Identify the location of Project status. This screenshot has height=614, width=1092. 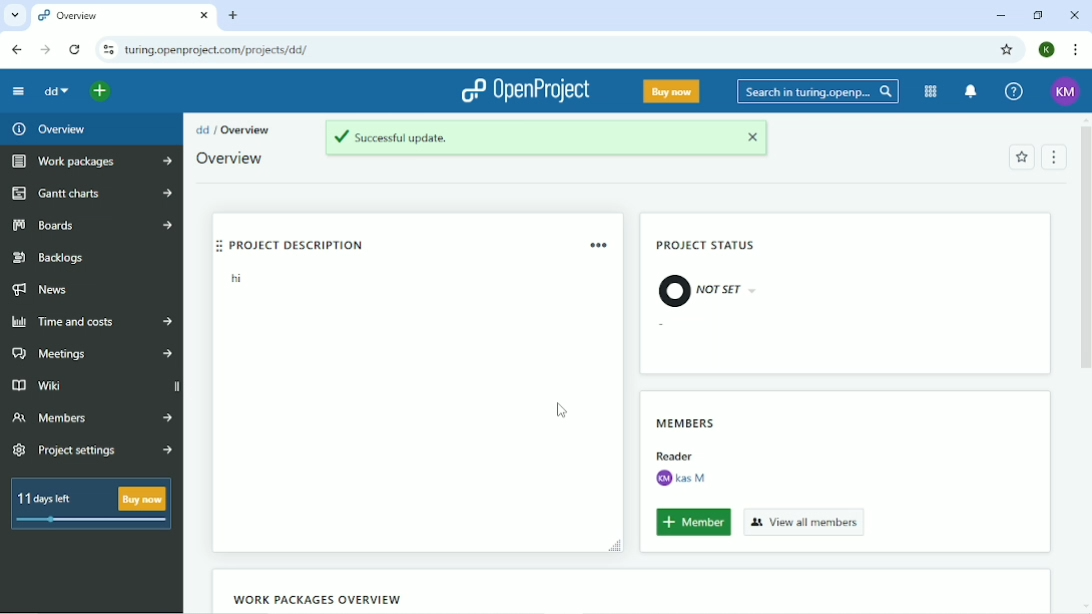
(708, 247).